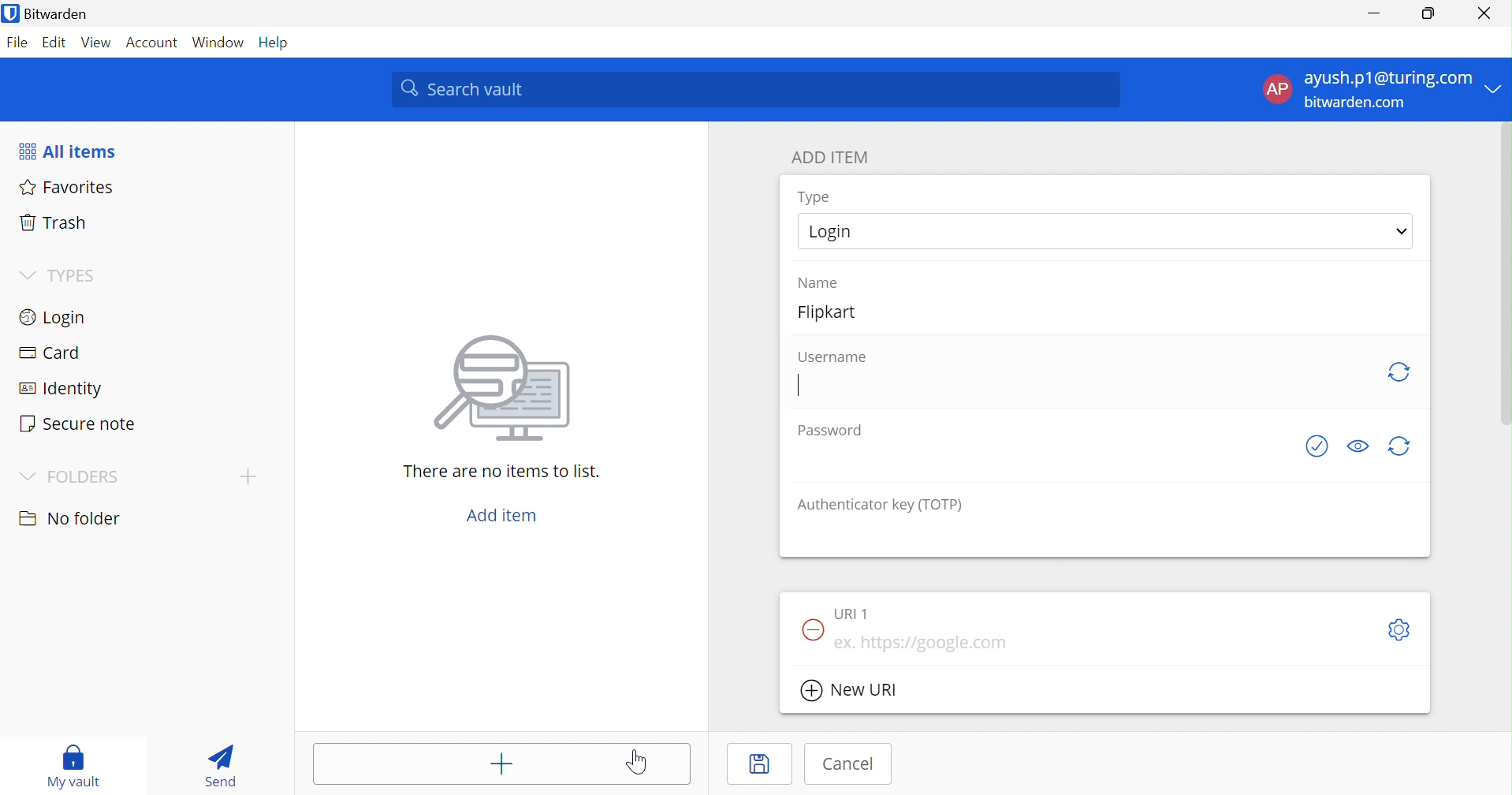 This screenshot has width=1512, height=795. What do you see at coordinates (1496, 88) in the screenshot?
I see `Drop Down` at bounding box center [1496, 88].